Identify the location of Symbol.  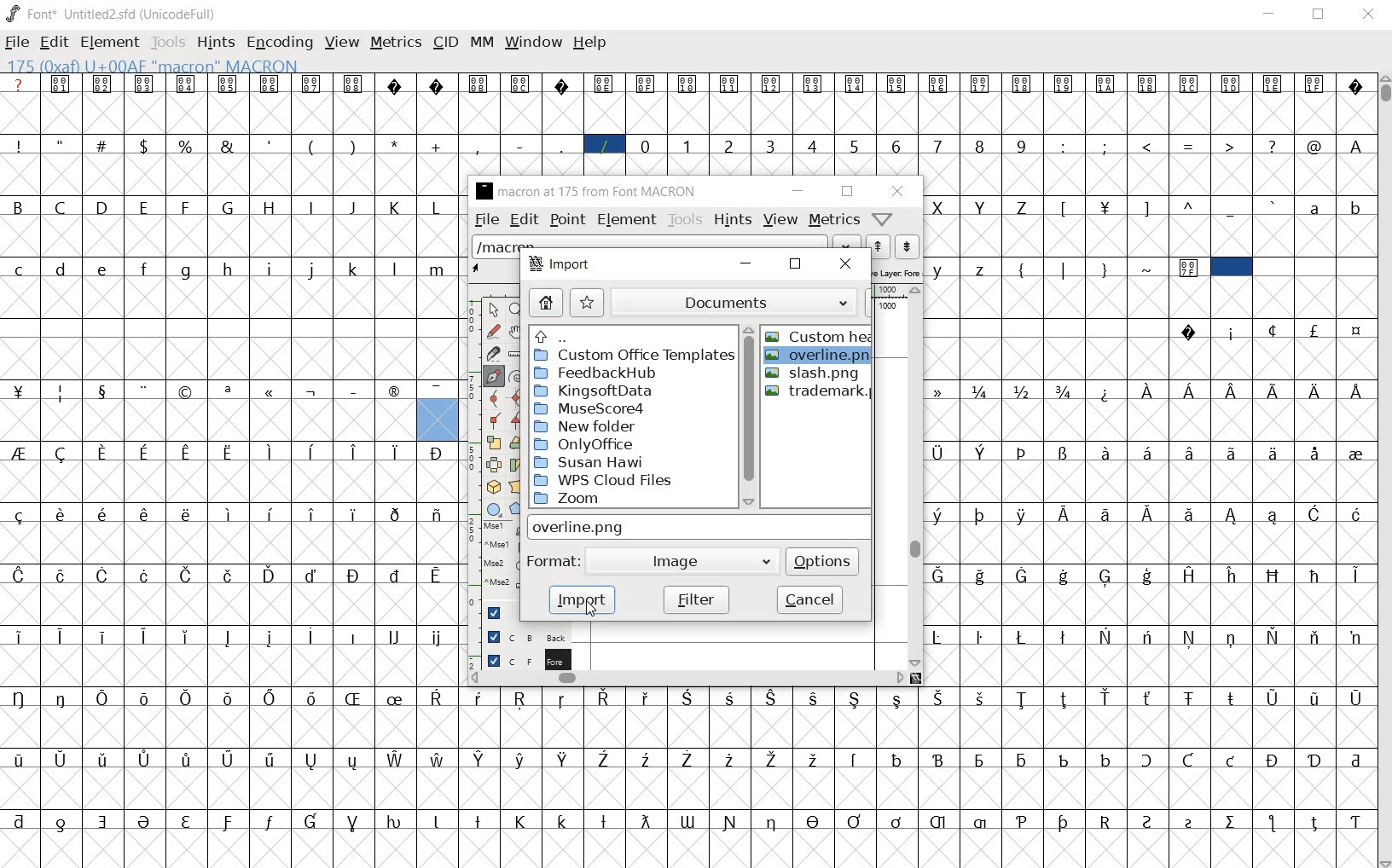
(229, 575).